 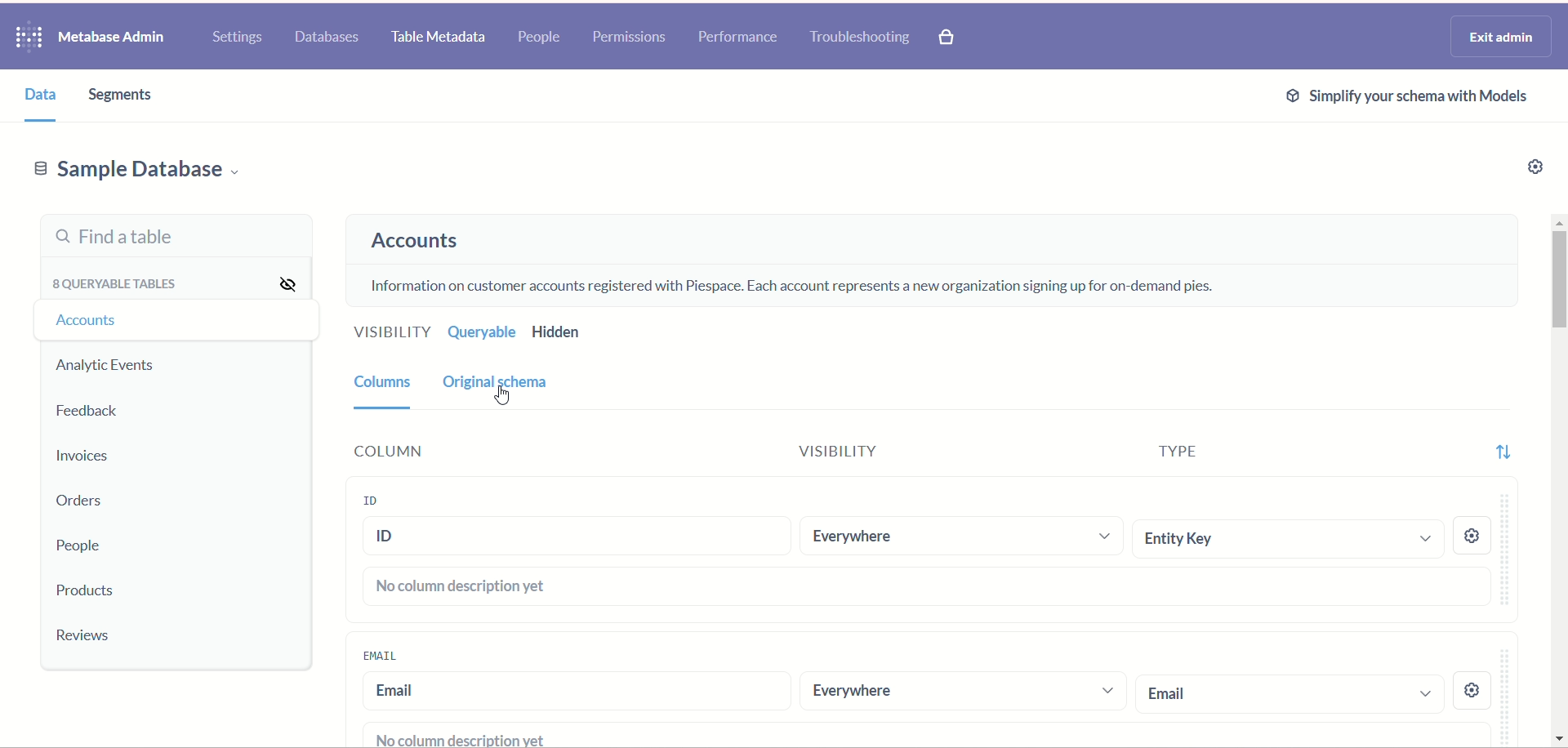 I want to click on ext, so click(x=1407, y=95).